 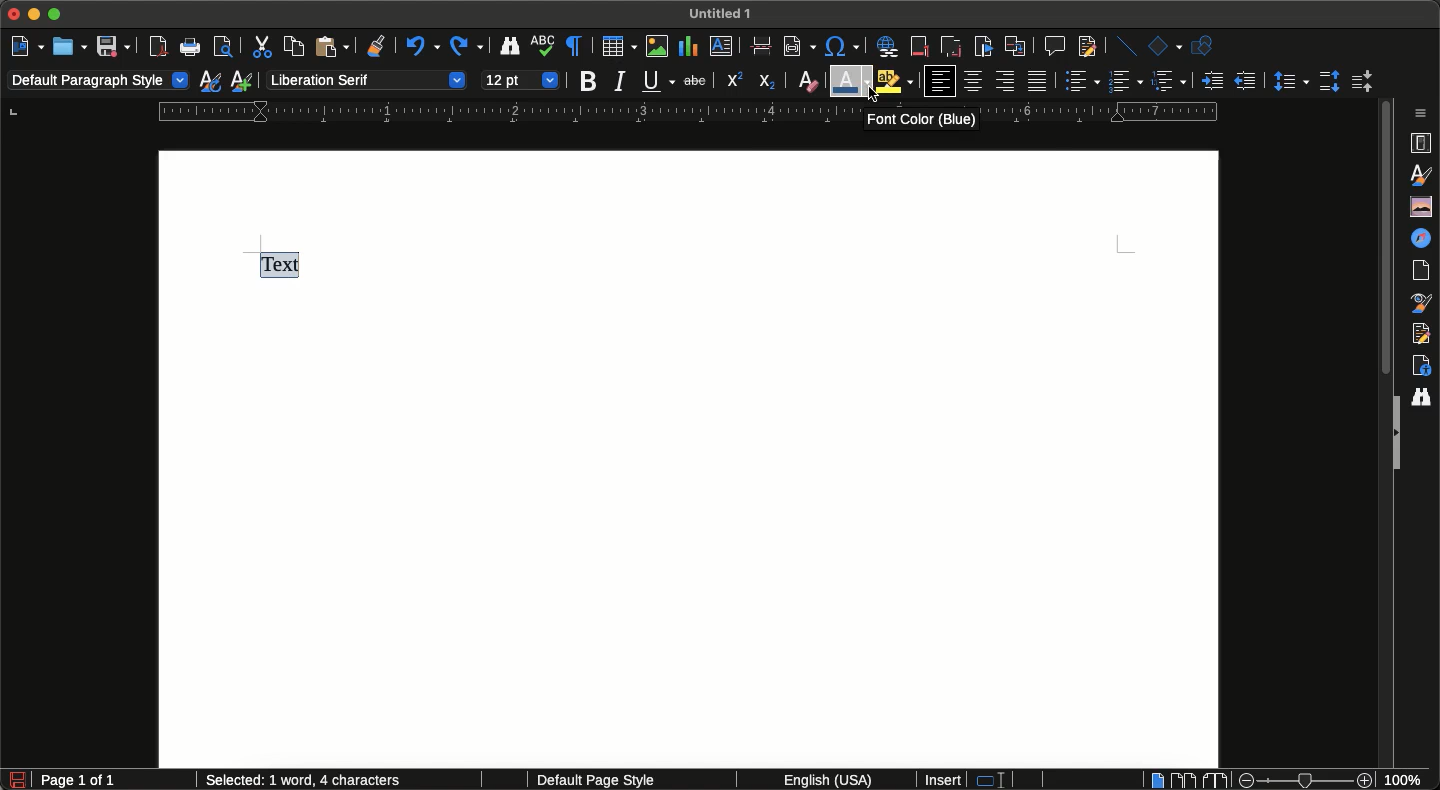 What do you see at coordinates (983, 47) in the screenshot?
I see `Insert bookmark` at bounding box center [983, 47].